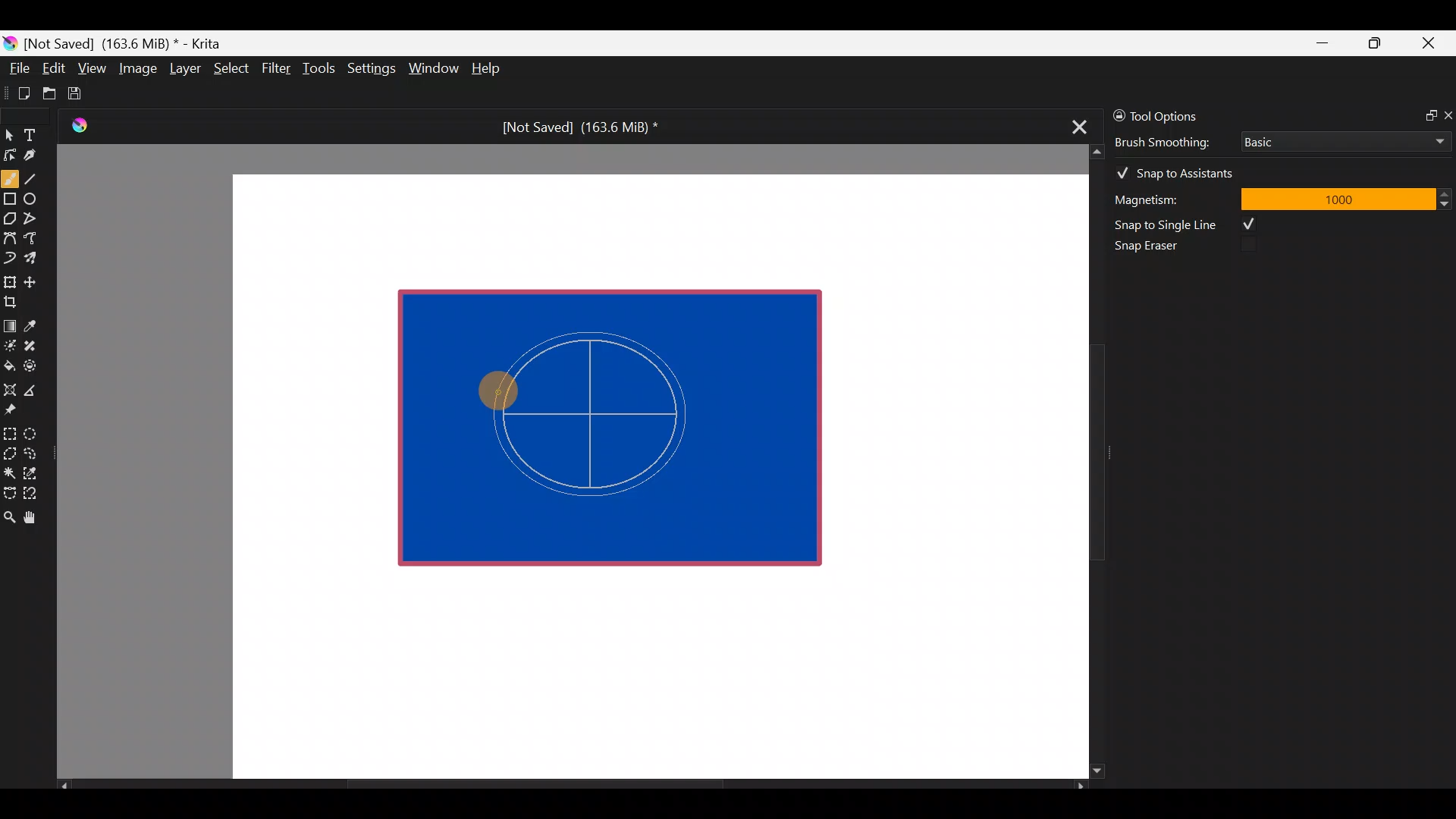 The height and width of the screenshot is (819, 1456). What do you see at coordinates (36, 324) in the screenshot?
I see `Sample a colour from the image/current layer` at bounding box center [36, 324].